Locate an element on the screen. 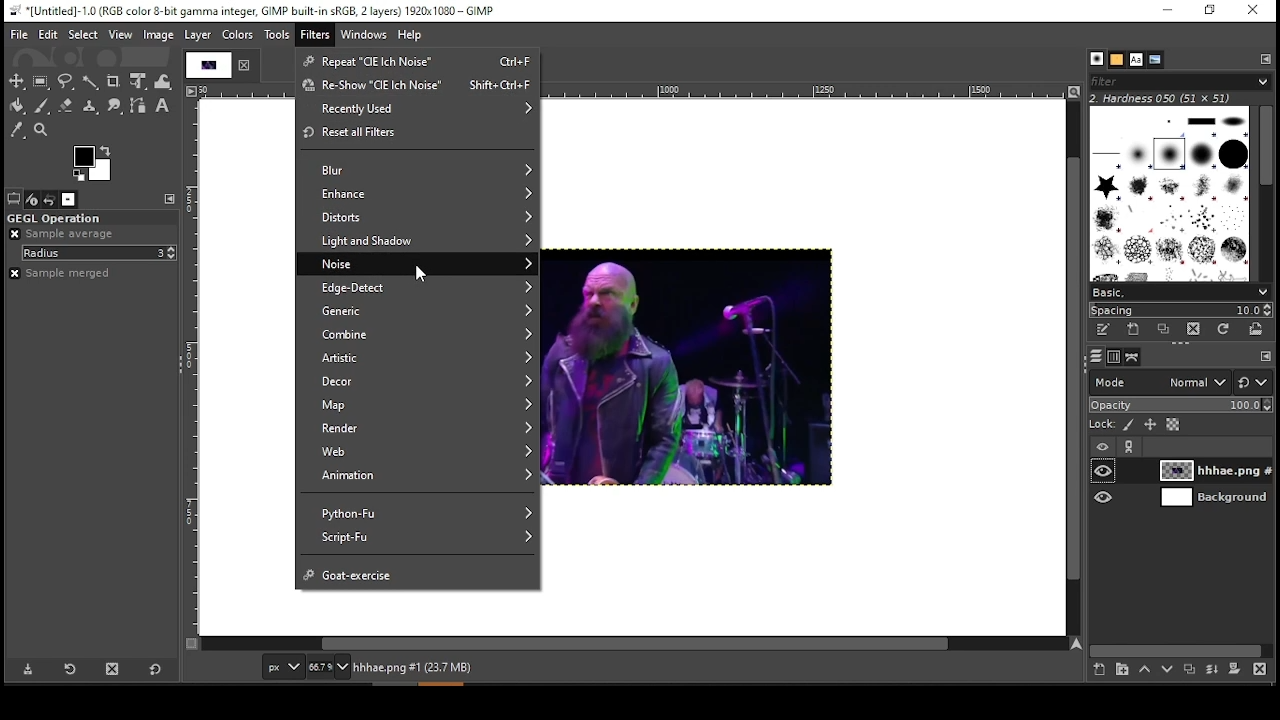 This screenshot has height=720, width=1280. delete layer is located at coordinates (1263, 670).